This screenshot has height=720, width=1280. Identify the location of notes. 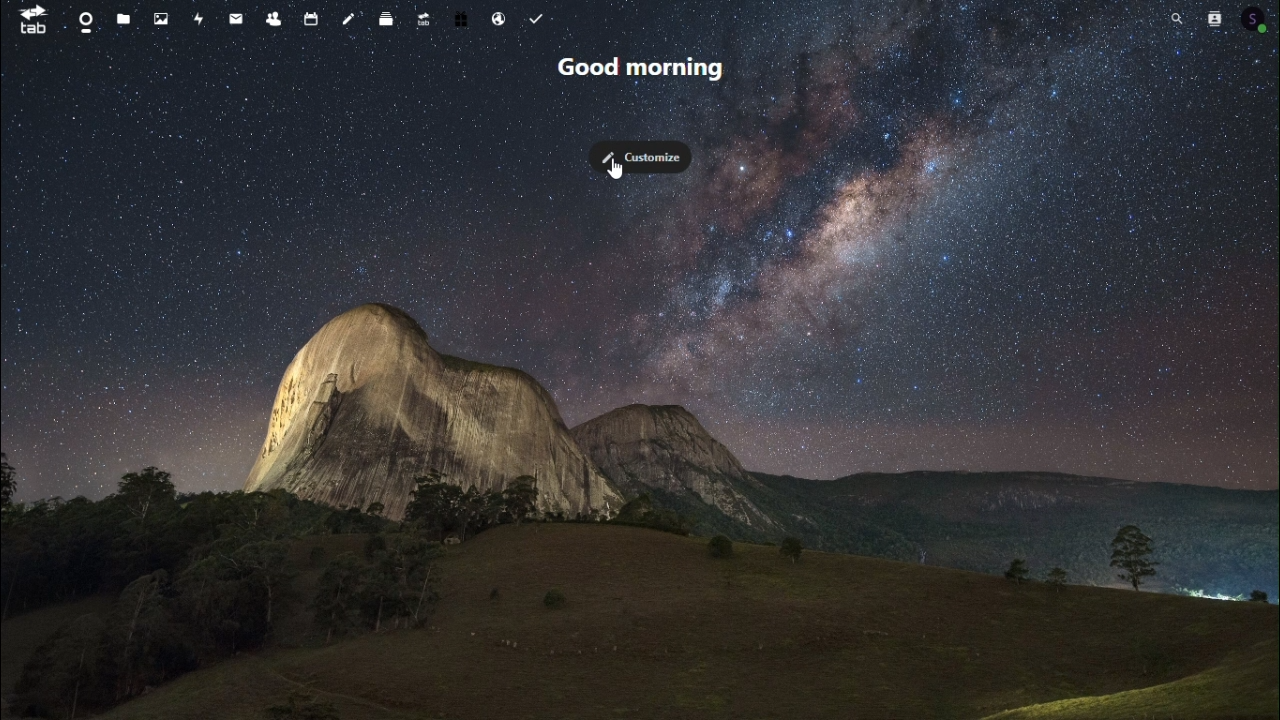
(352, 16).